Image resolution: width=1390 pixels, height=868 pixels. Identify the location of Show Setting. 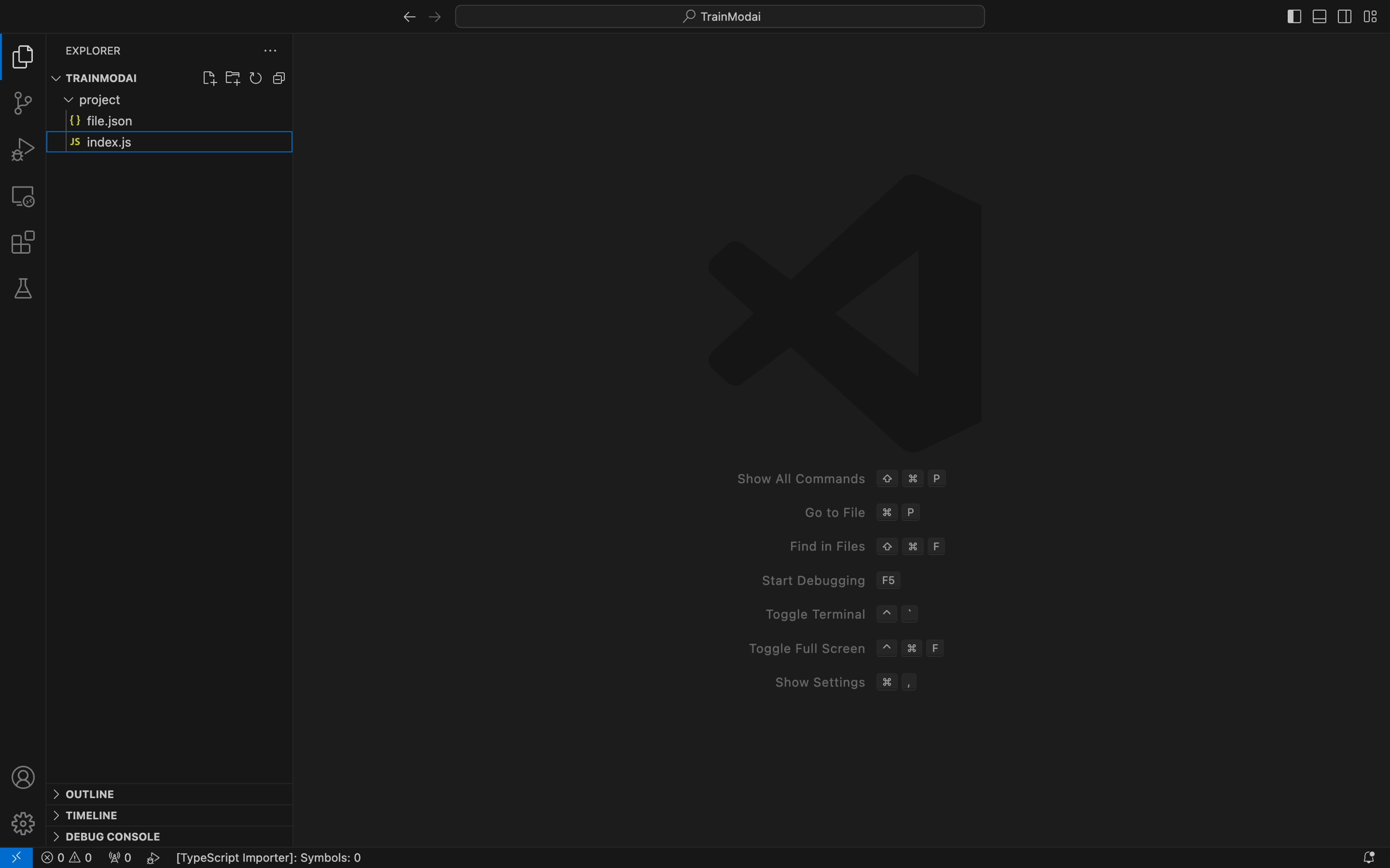
(848, 682).